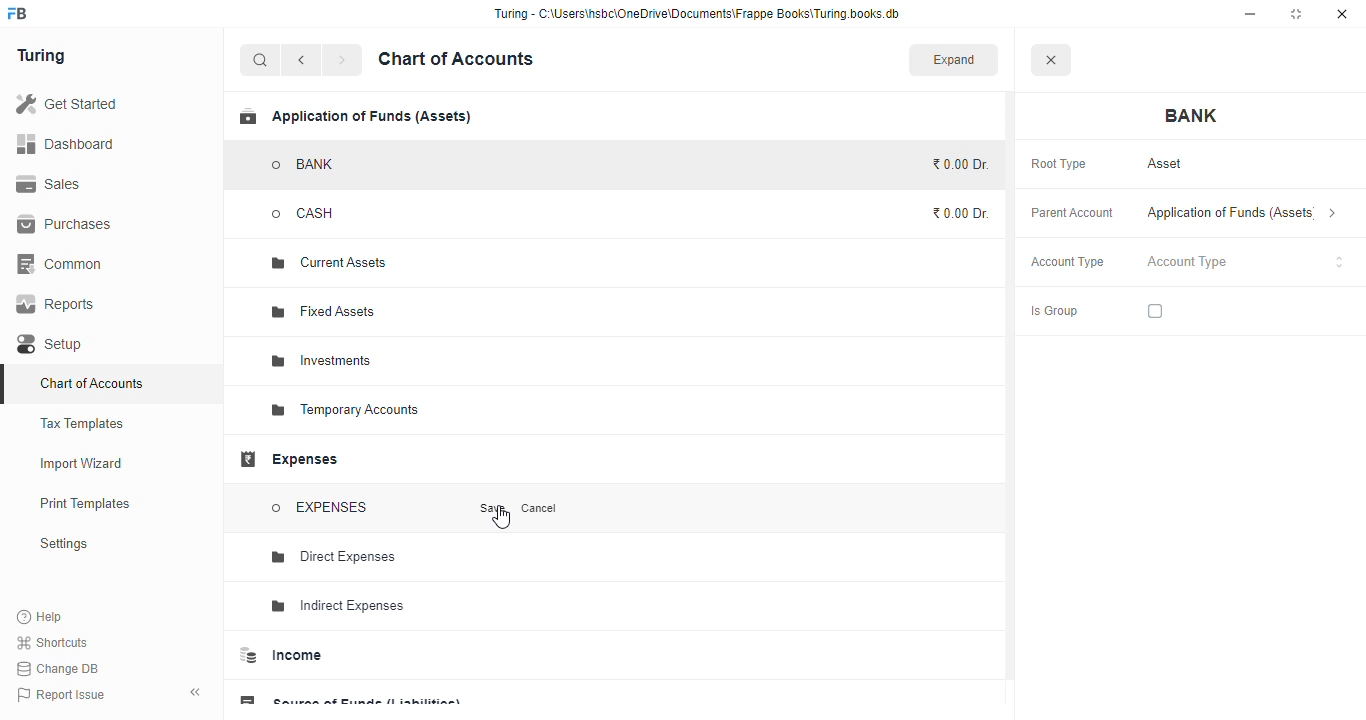 This screenshot has width=1366, height=720. I want to click on CASH, so click(324, 213).